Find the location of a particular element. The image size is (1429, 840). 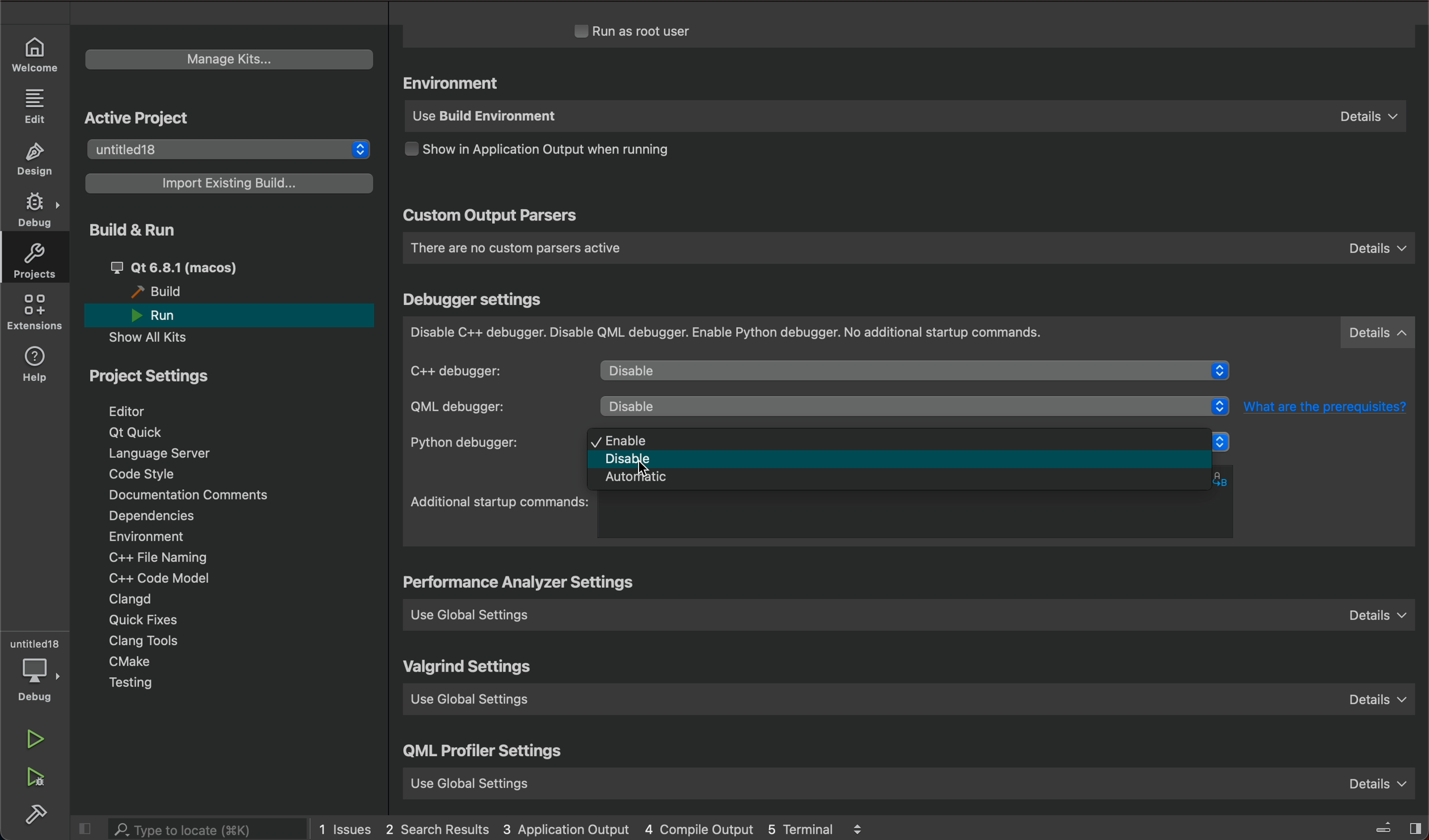

automatic is located at coordinates (905, 482).